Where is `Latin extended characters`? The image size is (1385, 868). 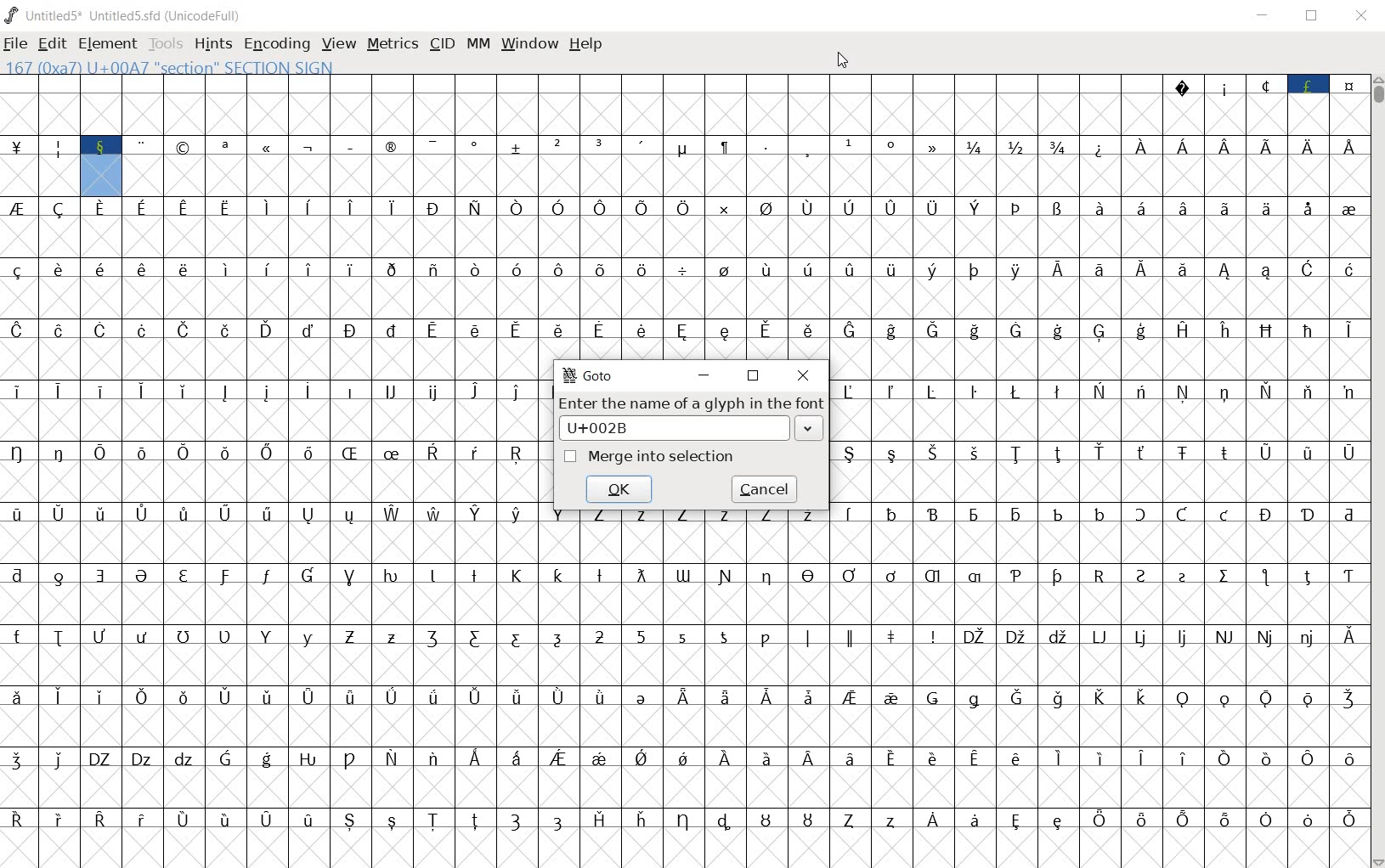 Latin extended characters is located at coordinates (1036, 807).